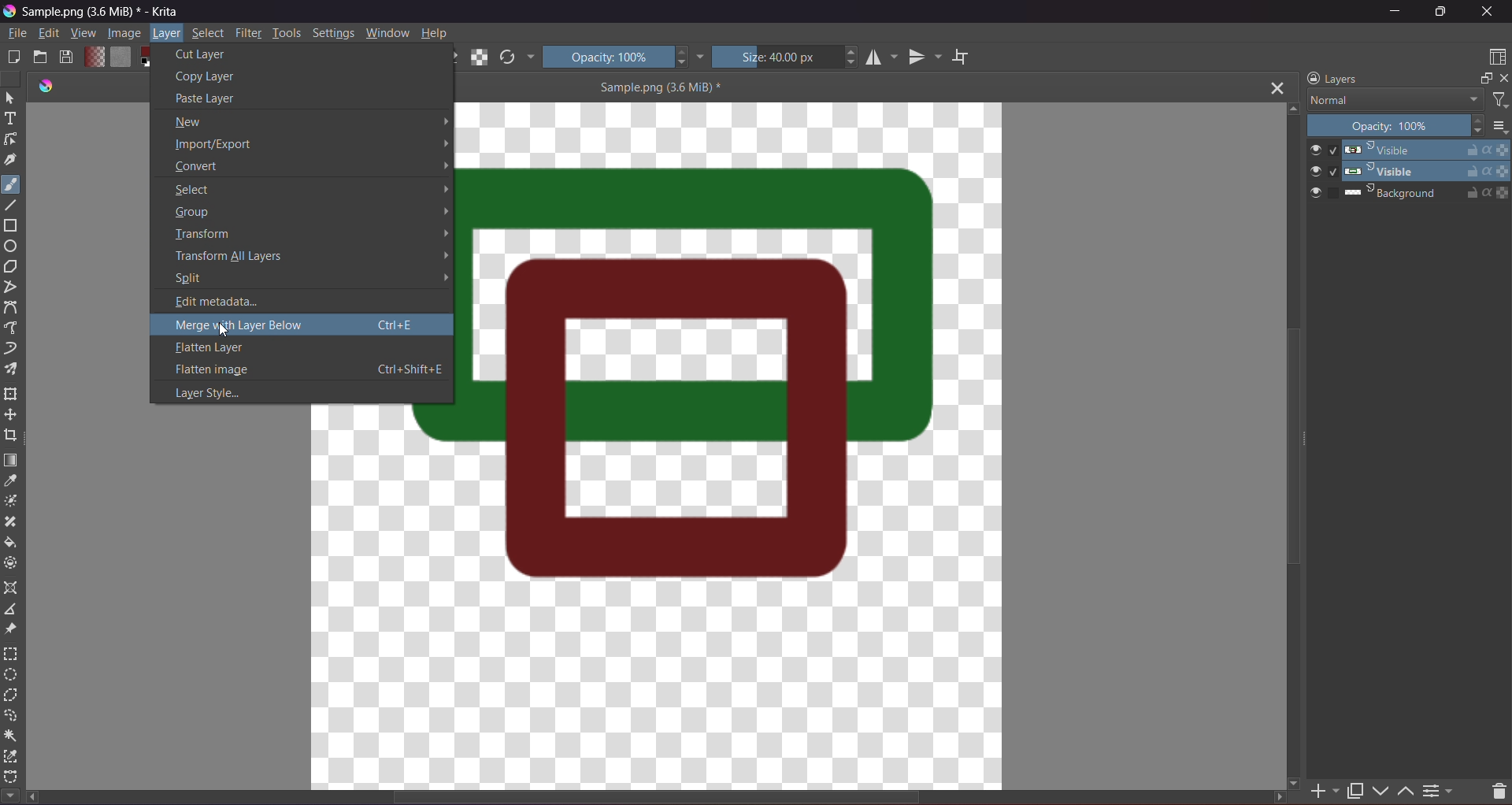  I want to click on Transform a layer, so click(12, 395).